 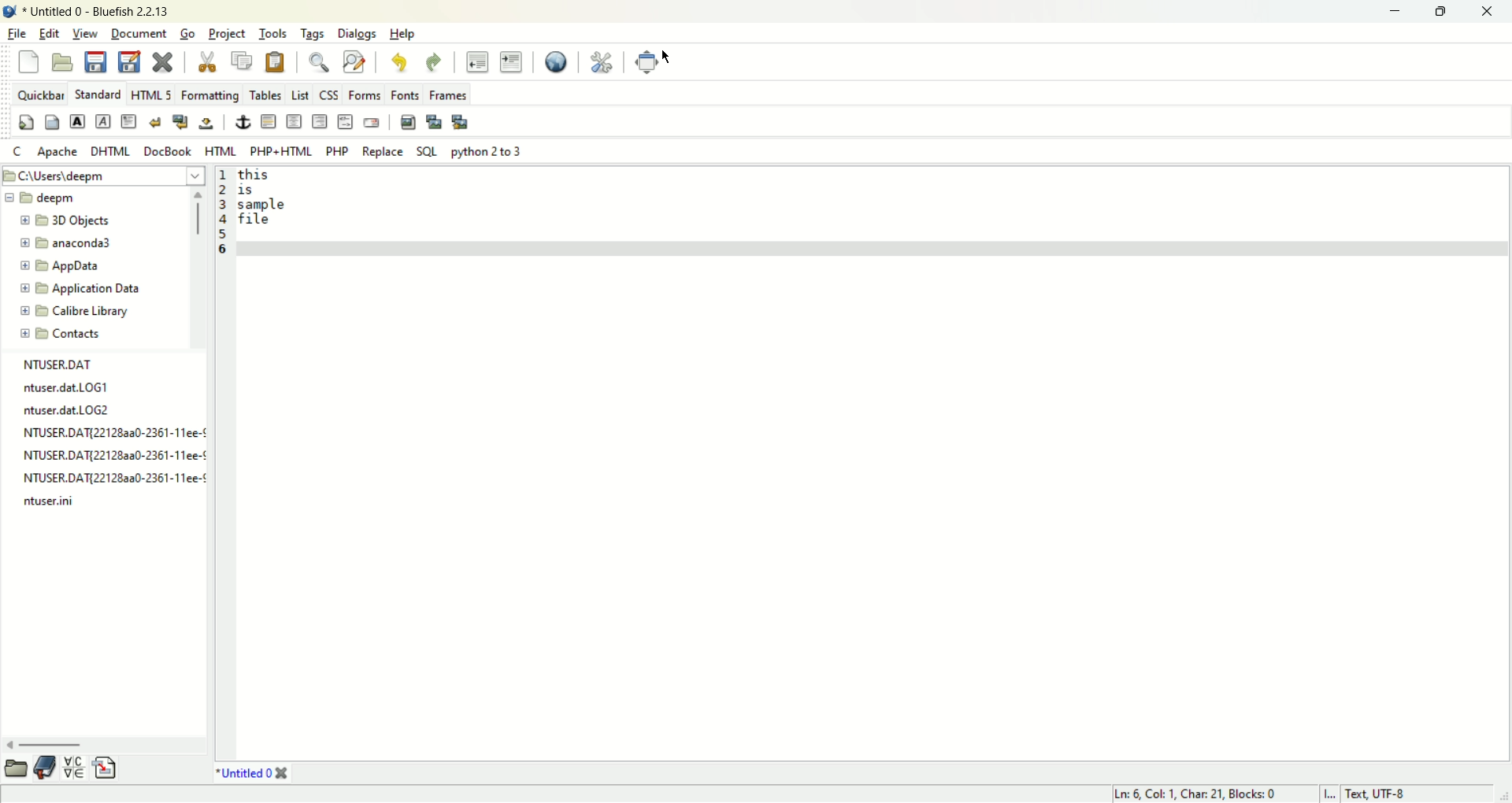 What do you see at coordinates (71, 411) in the screenshot?
I see `ntuser.dat.LOG2` at bounding box center [71, 411].